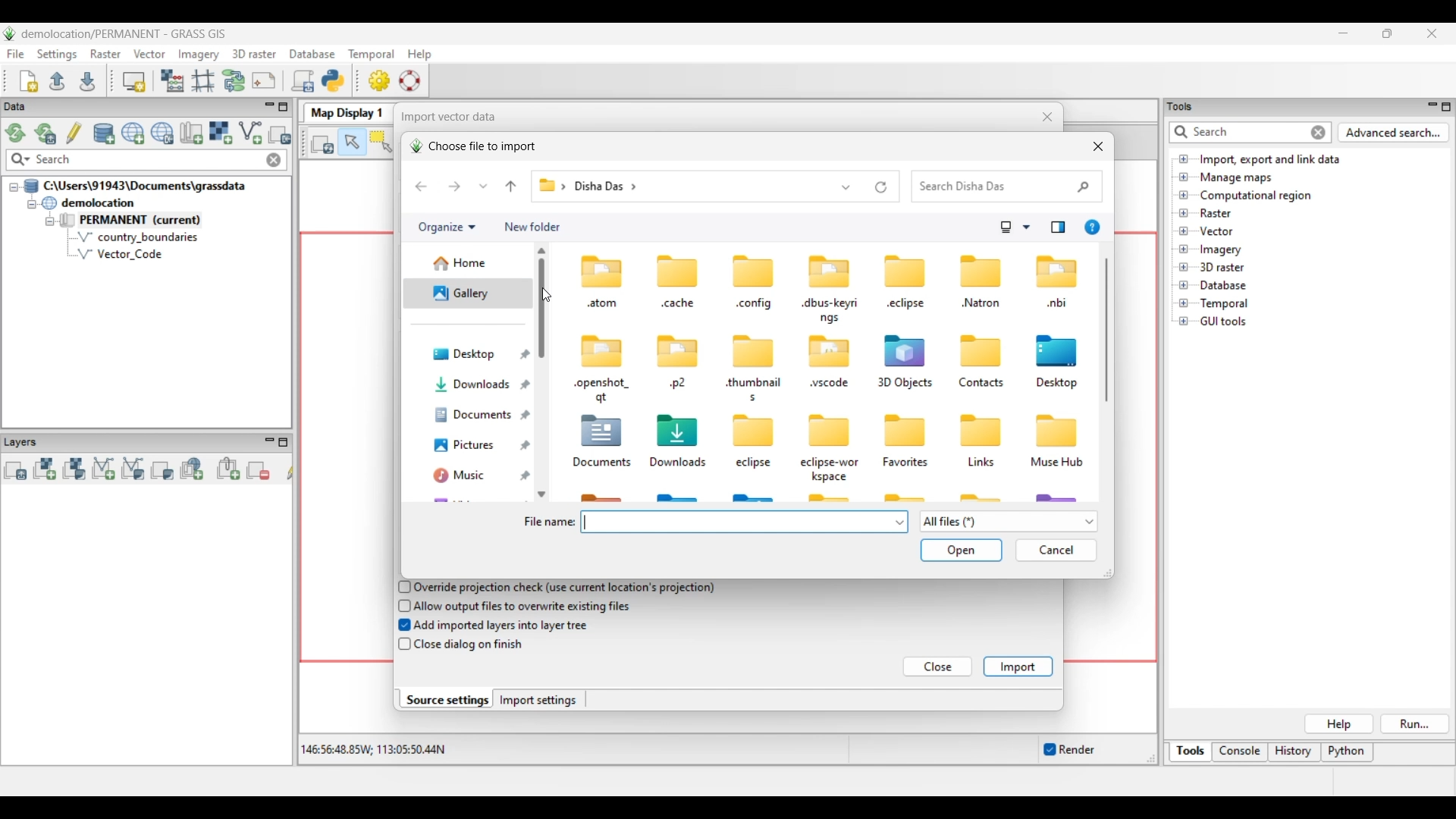 Image resolution: width=1456 pixels, height=819 pixels. I want to click on Click to open GUI tools, so click(1184, 322).